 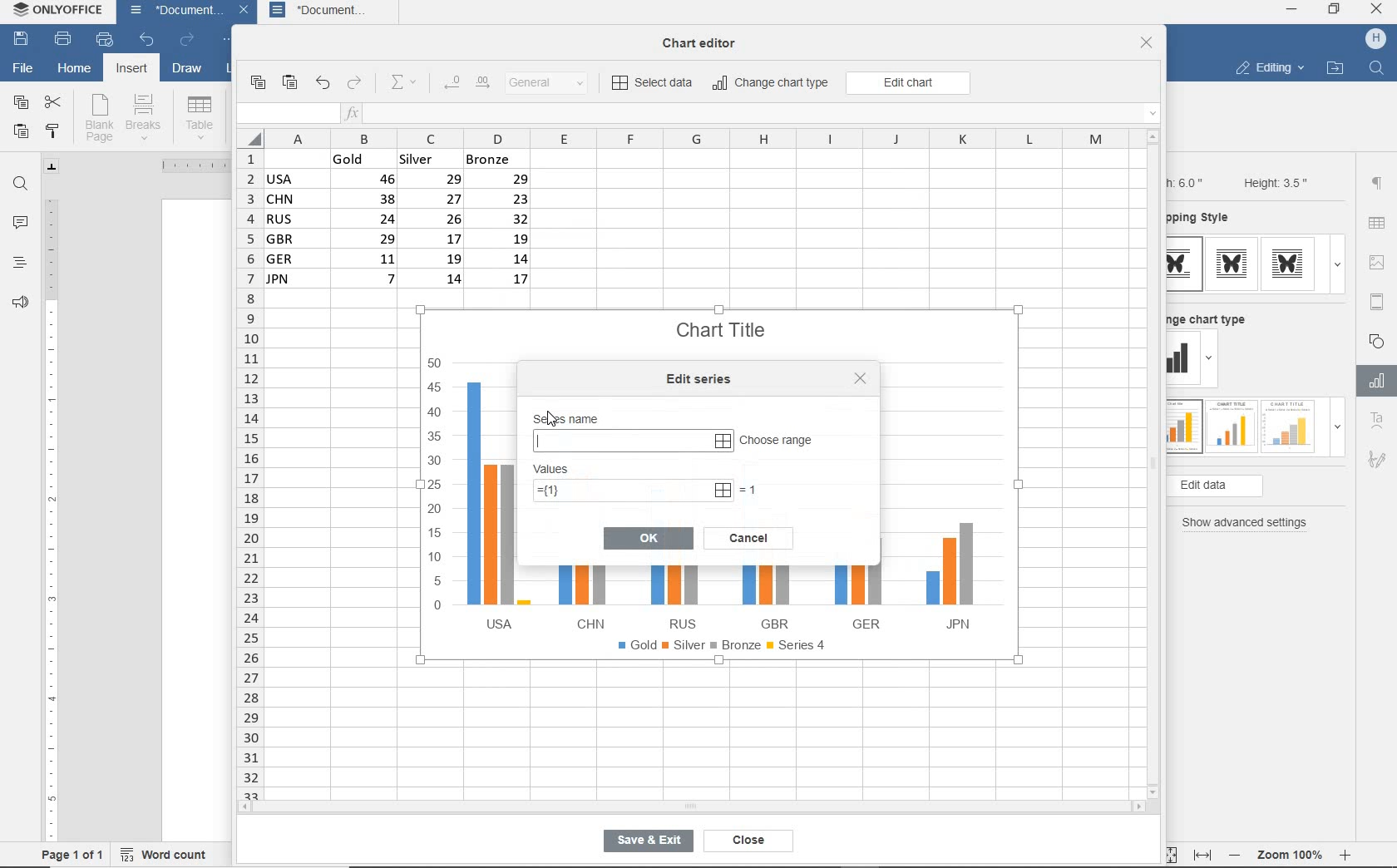 What do you see at coordinates (405, 224) in the screenshot?
I see `data` at bounding box center [405, 224].